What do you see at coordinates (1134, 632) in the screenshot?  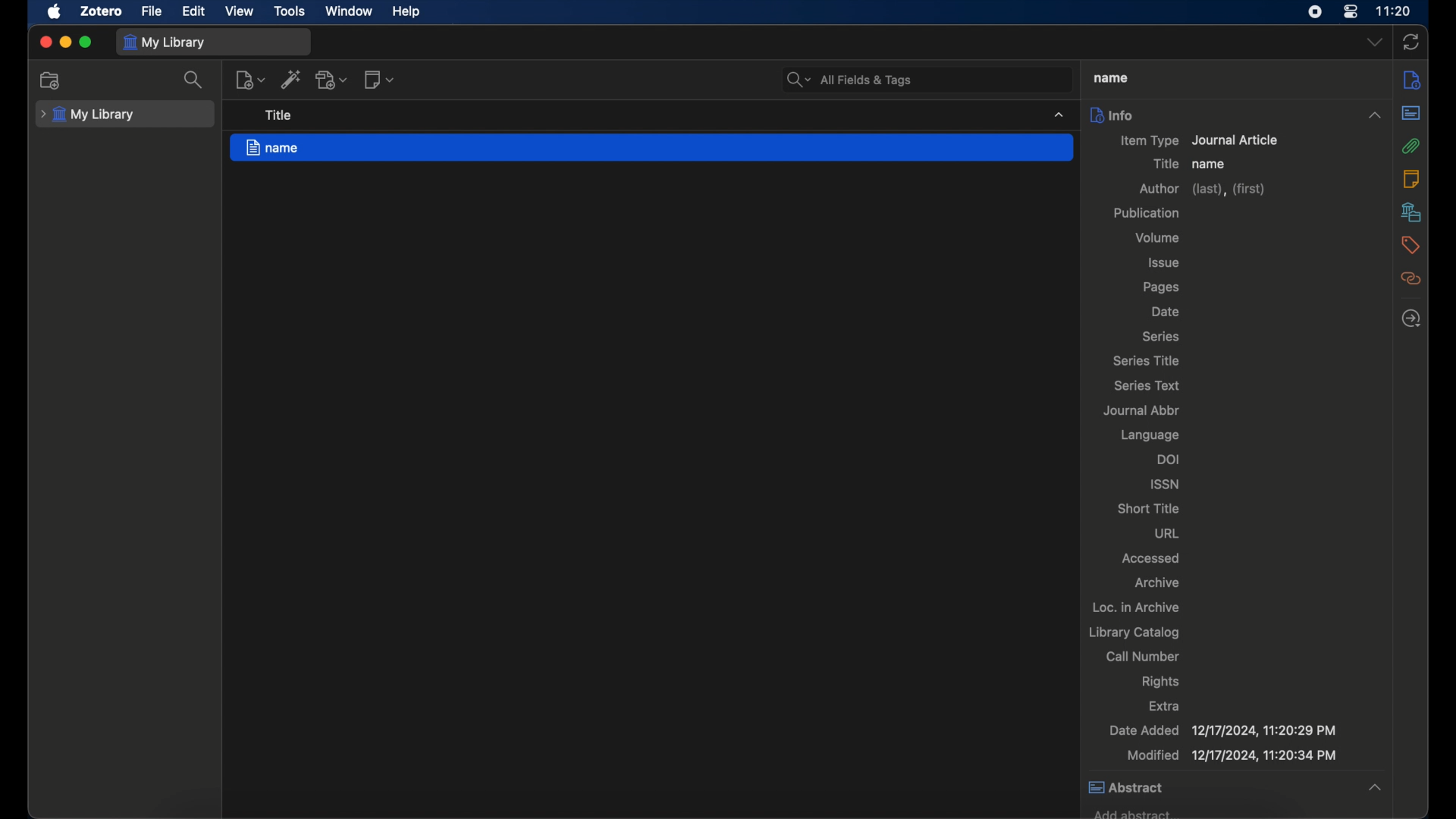 I see `library catalog` at bounding box center [1134, 632].